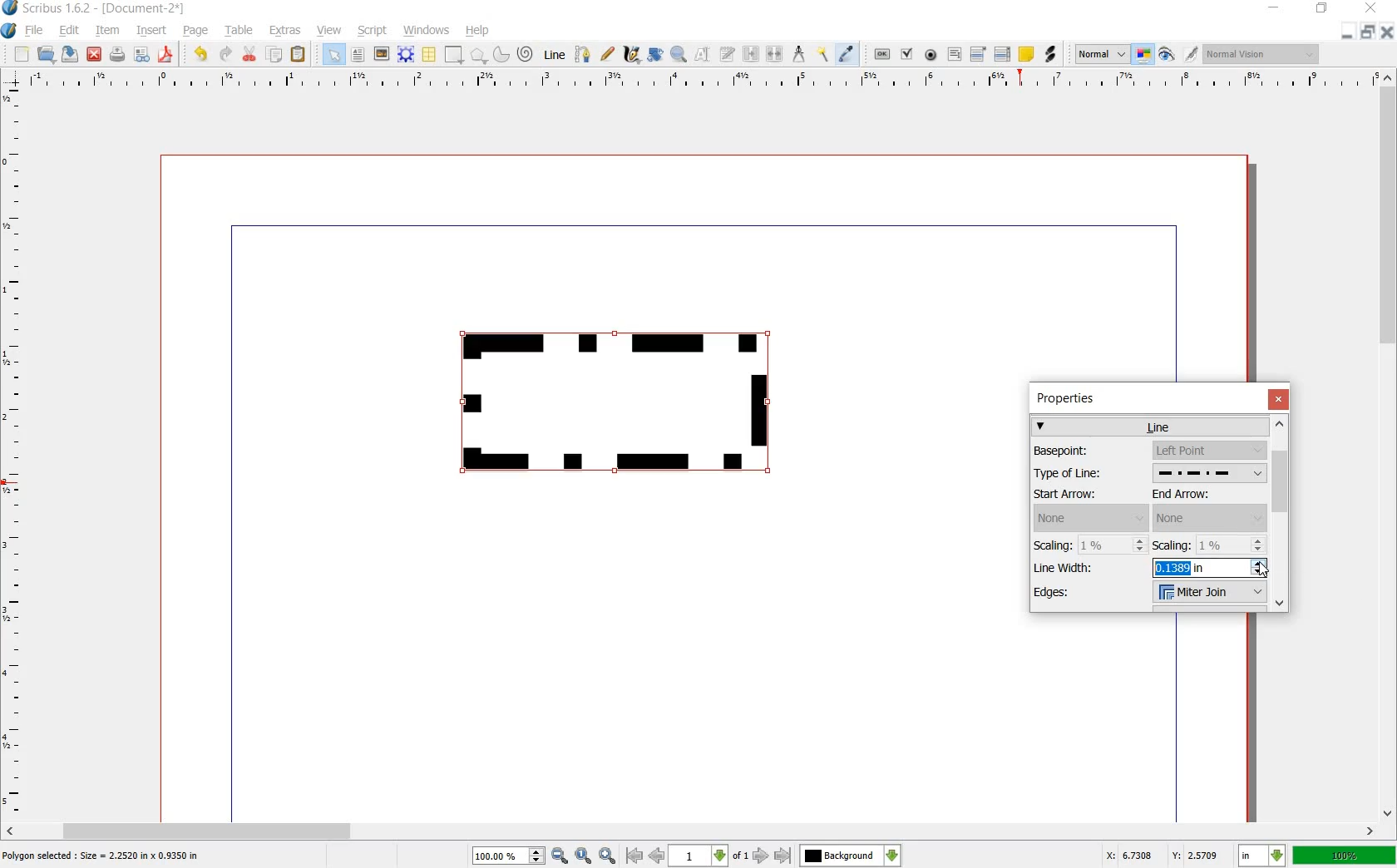 The image size is (1397, 868). I want to click on End Arrow:, so click(1197, 495).